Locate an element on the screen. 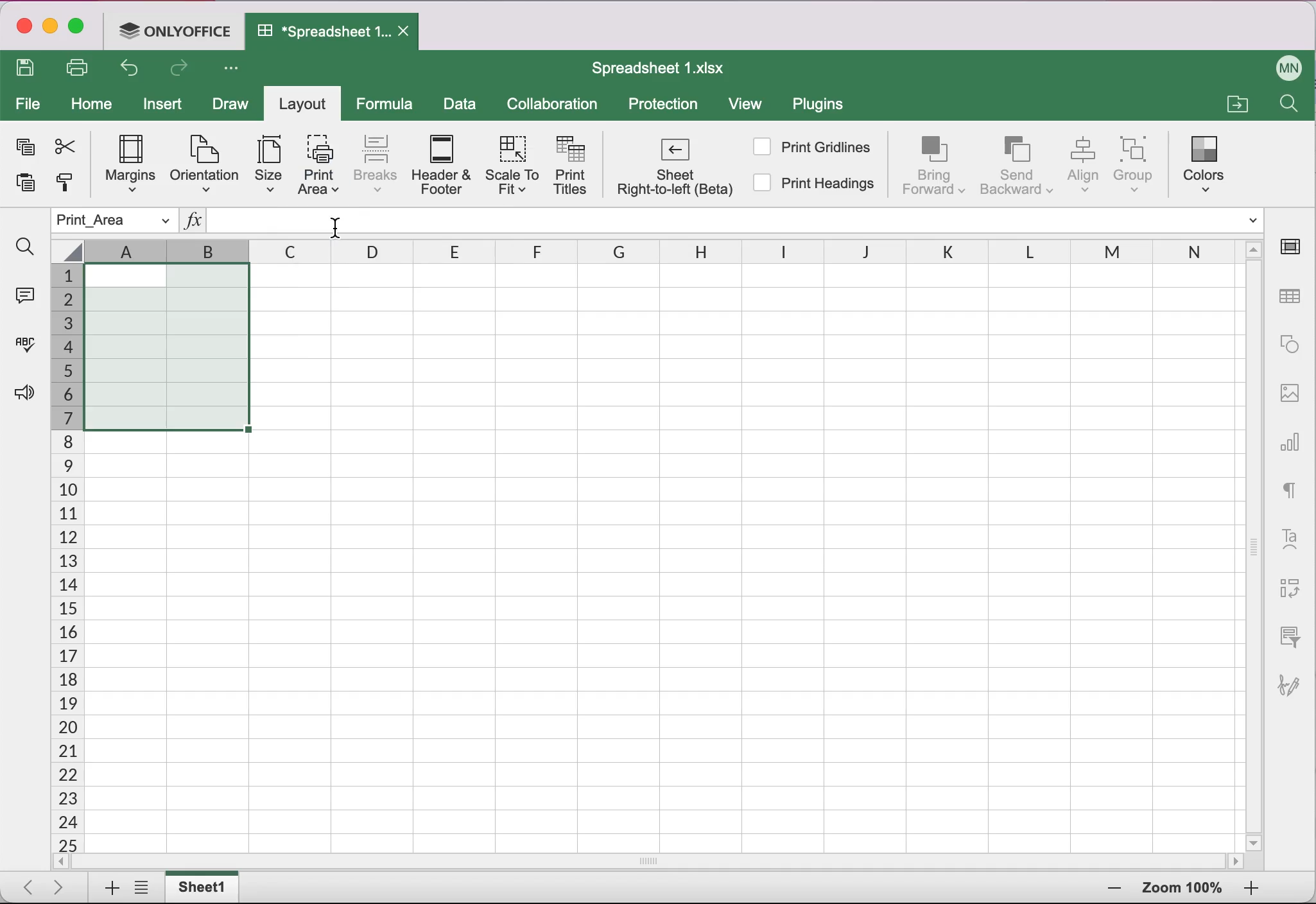  Header & footer is located at coordinates (444, 166).